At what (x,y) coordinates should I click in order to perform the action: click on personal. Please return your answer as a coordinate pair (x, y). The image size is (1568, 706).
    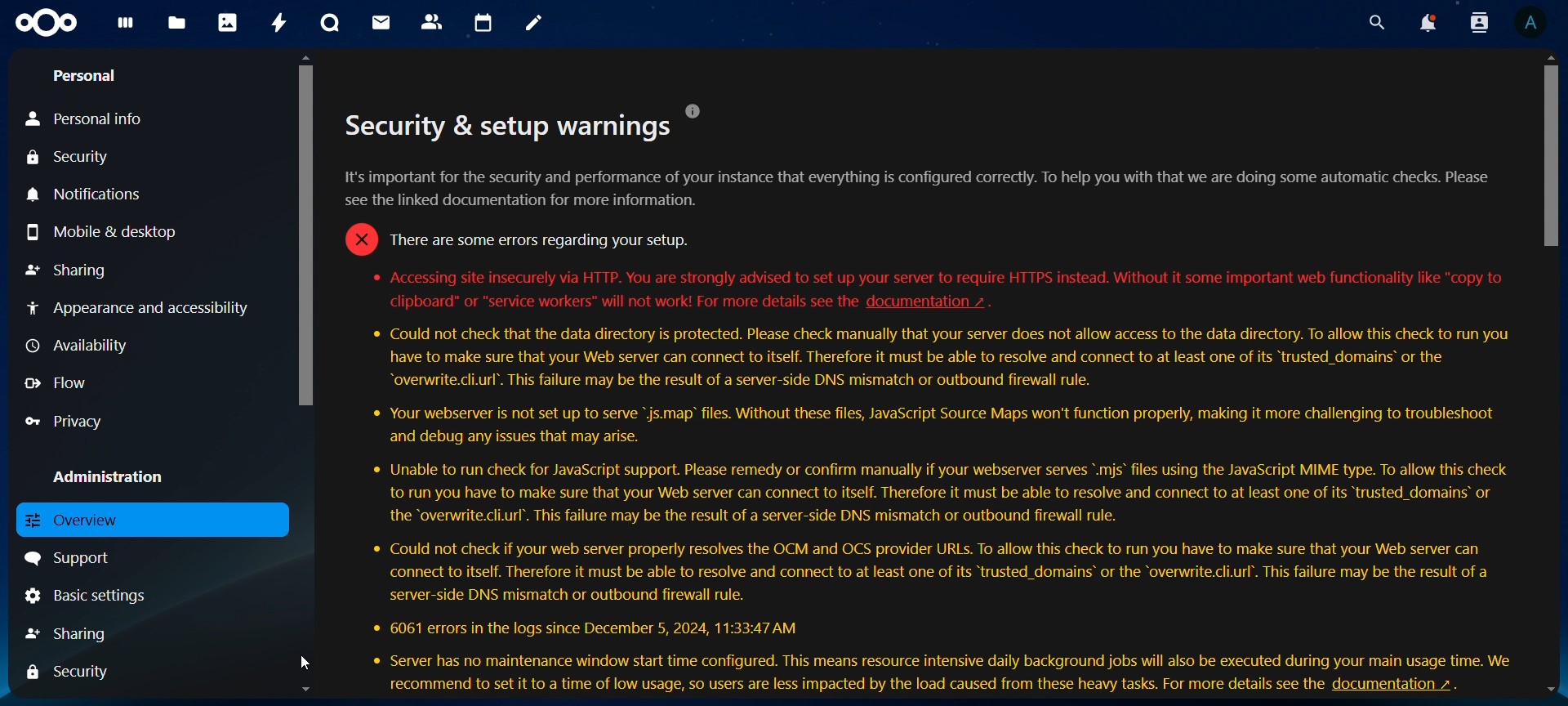
    Looking at the image, I should click on (87, 75).